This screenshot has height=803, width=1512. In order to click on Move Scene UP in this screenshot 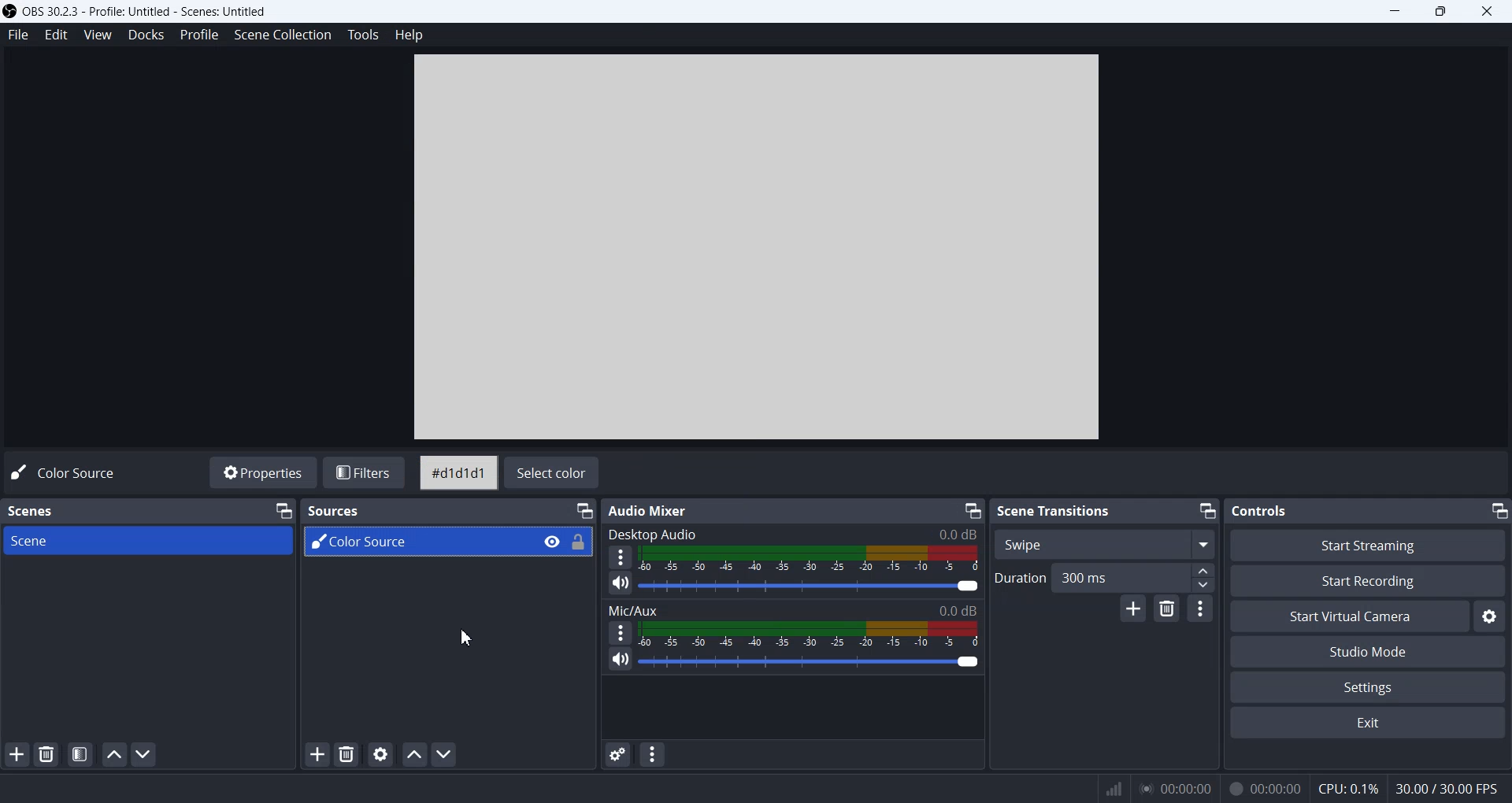, I will do `click(114, 754)`.